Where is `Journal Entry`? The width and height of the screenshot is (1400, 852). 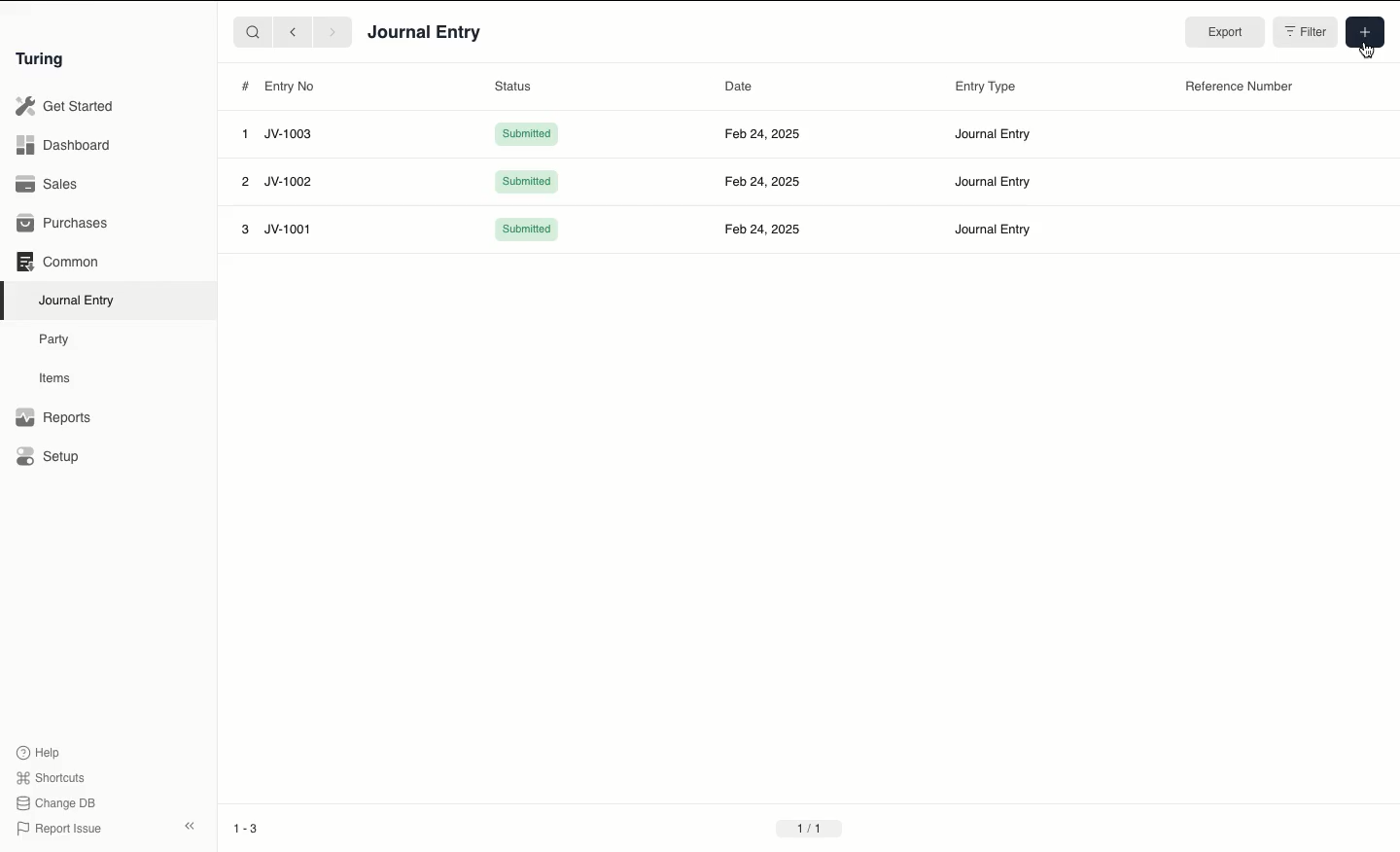 Journal Entry is located at coordinates (993, 182).